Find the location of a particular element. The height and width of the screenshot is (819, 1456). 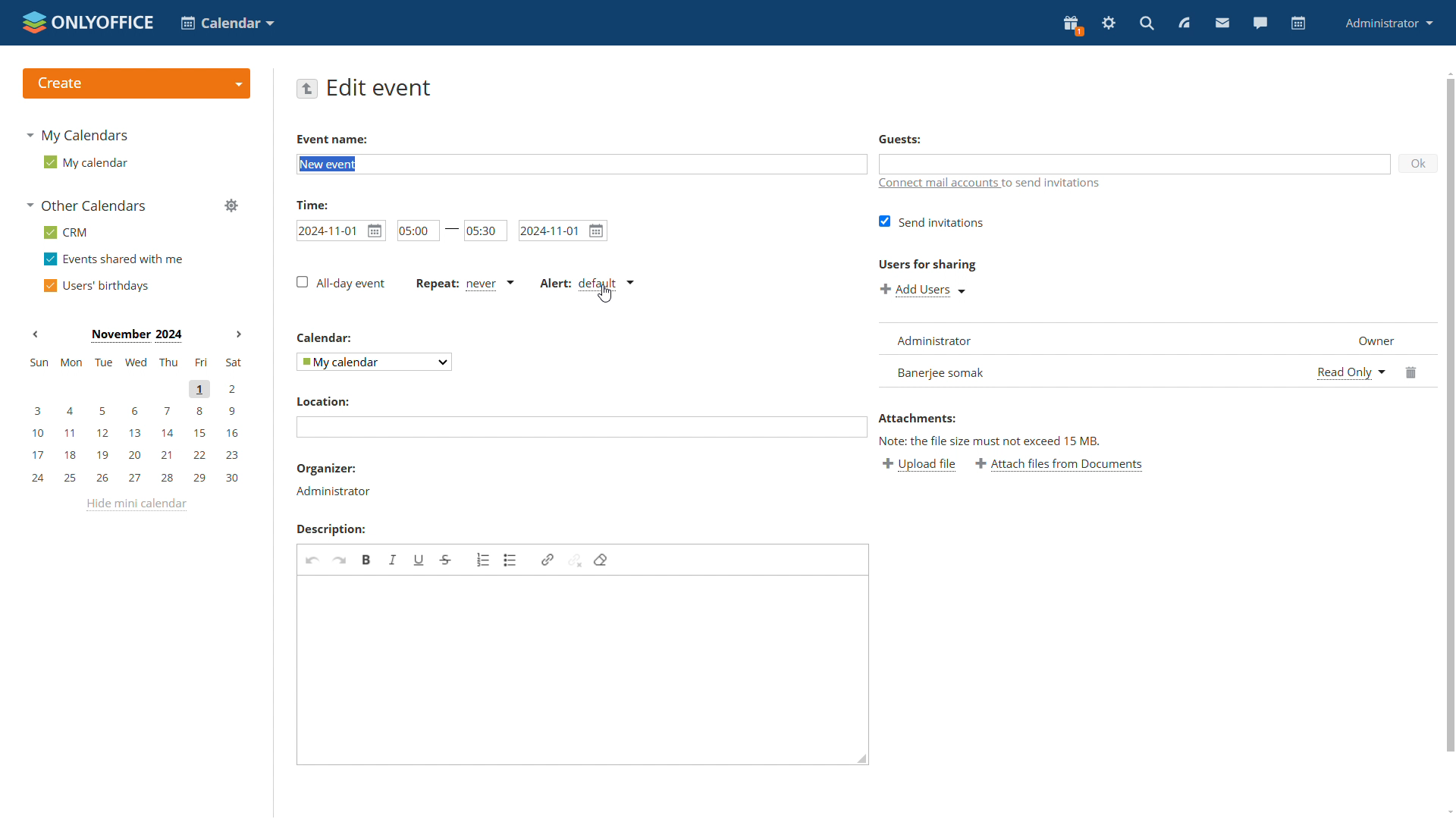

my calendar is located at coordinates (88, 165).